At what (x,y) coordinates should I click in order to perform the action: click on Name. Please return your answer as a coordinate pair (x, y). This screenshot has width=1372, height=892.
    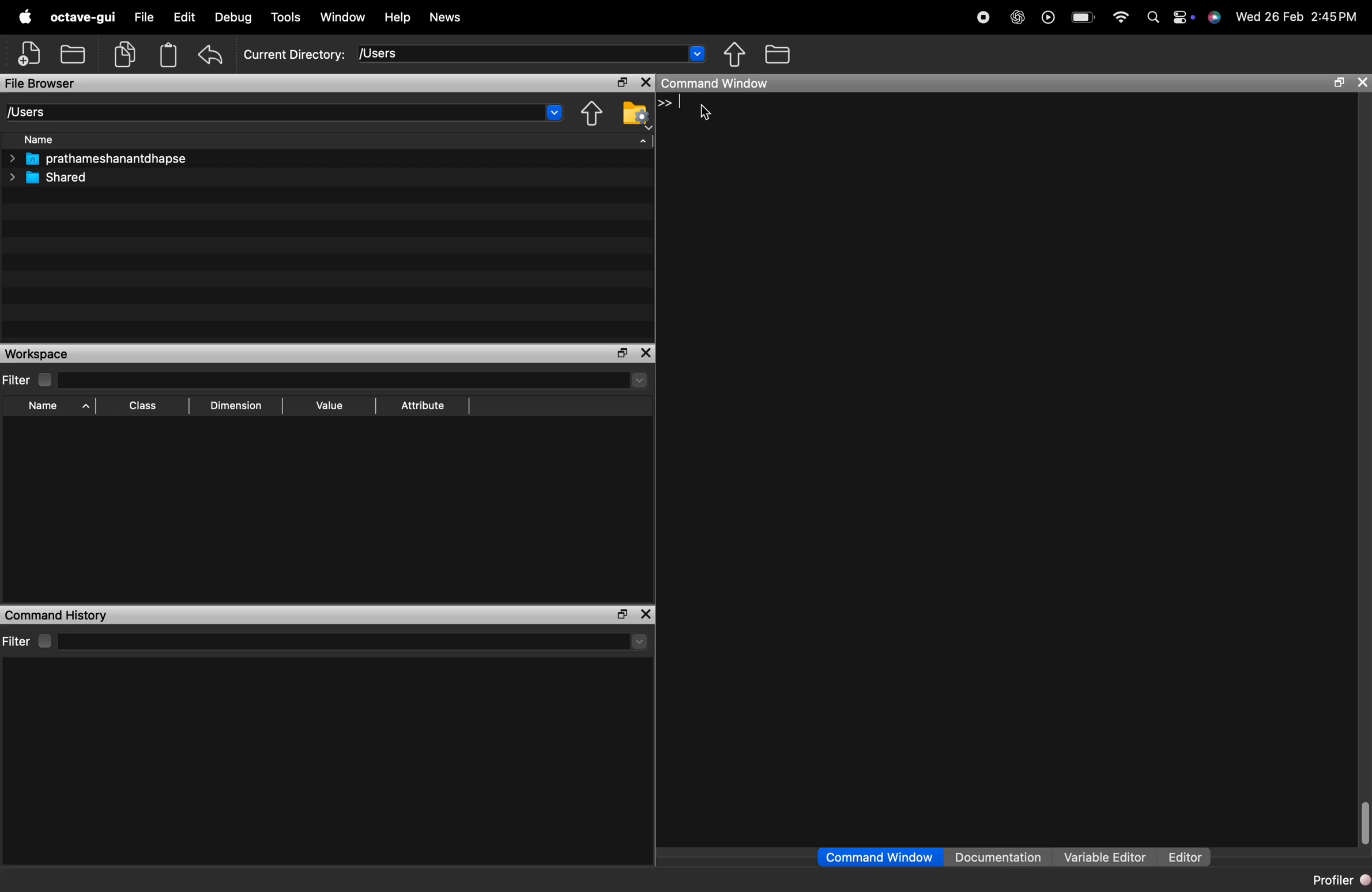
    Looking at the image, I should click on (44, 407).